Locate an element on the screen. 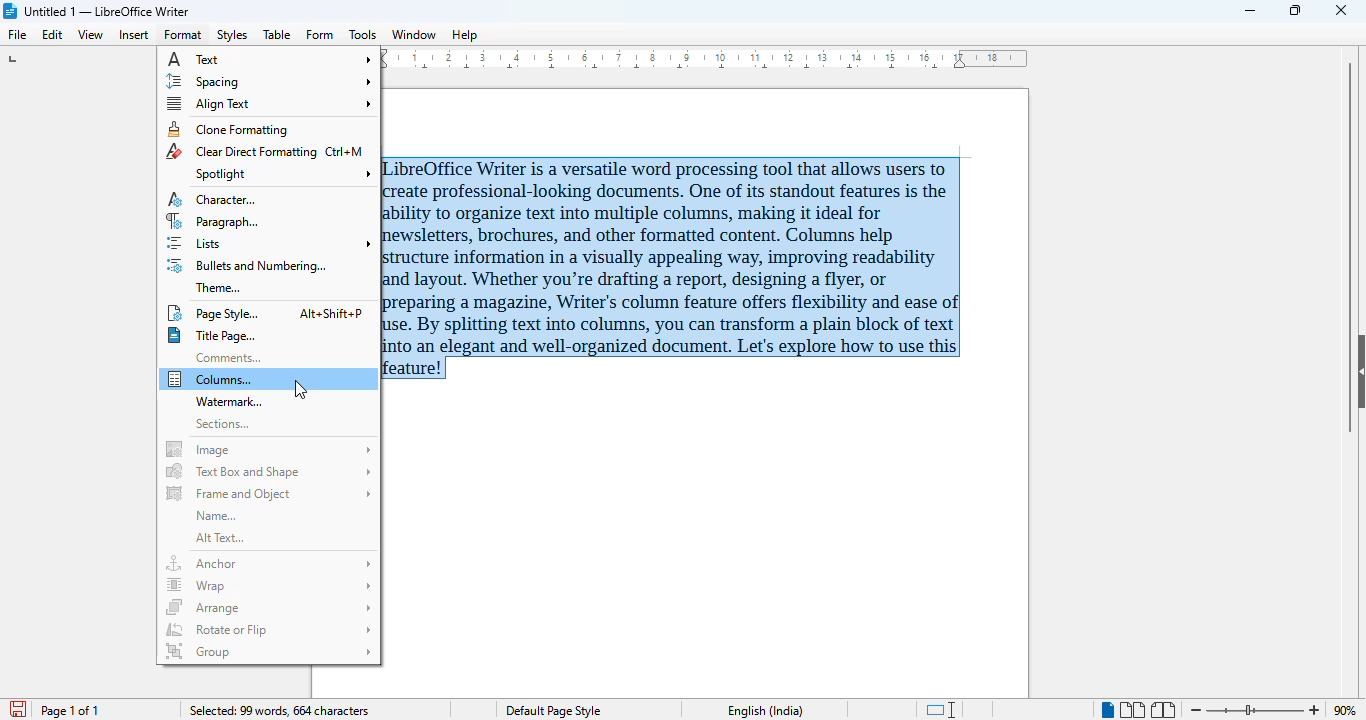 This screenshot has height=720, width=1366. single-page view is located at coordinates (1106, 710).